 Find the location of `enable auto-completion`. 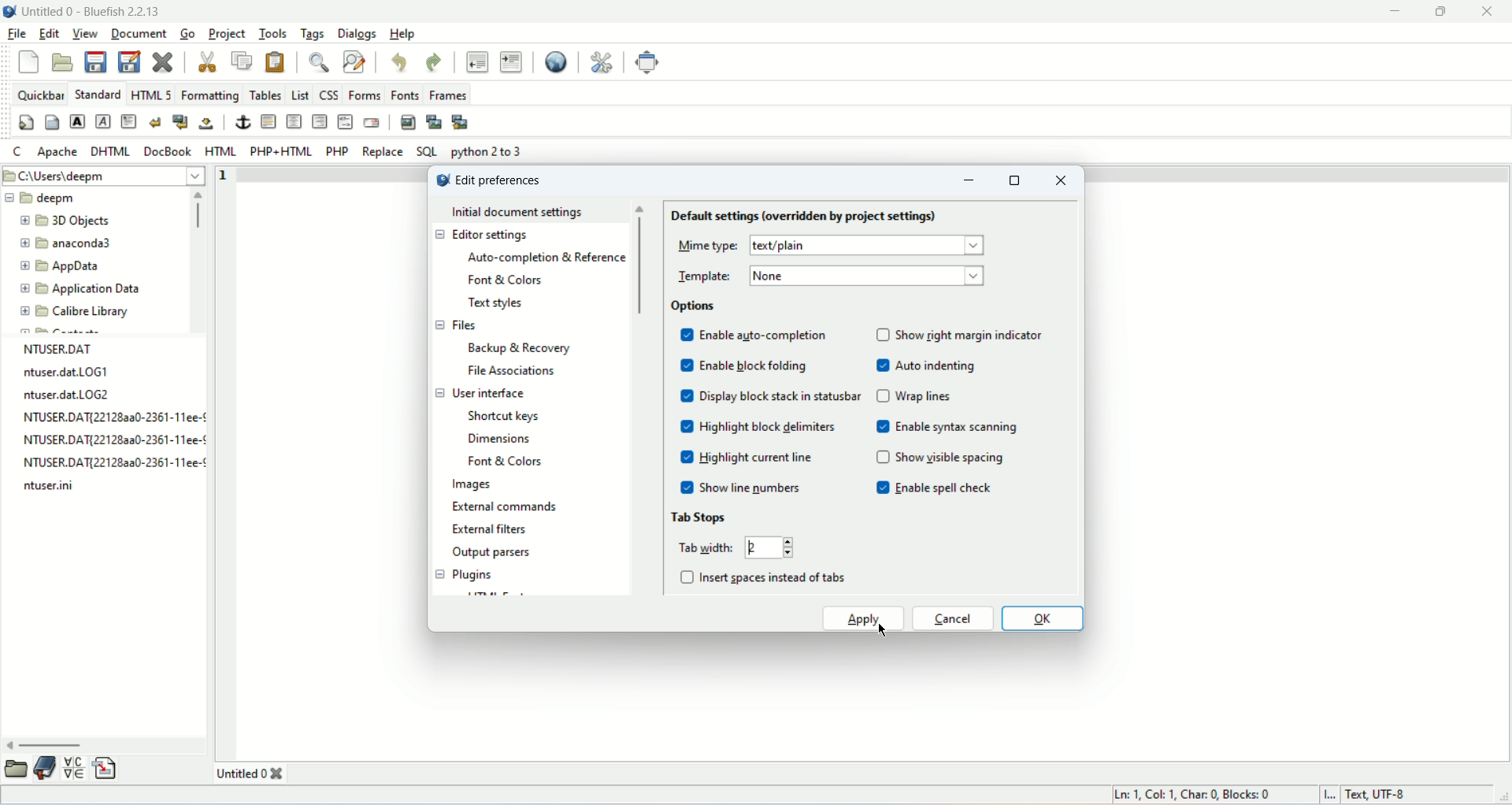

enable auto-completion is located at coordinates (766, 336).